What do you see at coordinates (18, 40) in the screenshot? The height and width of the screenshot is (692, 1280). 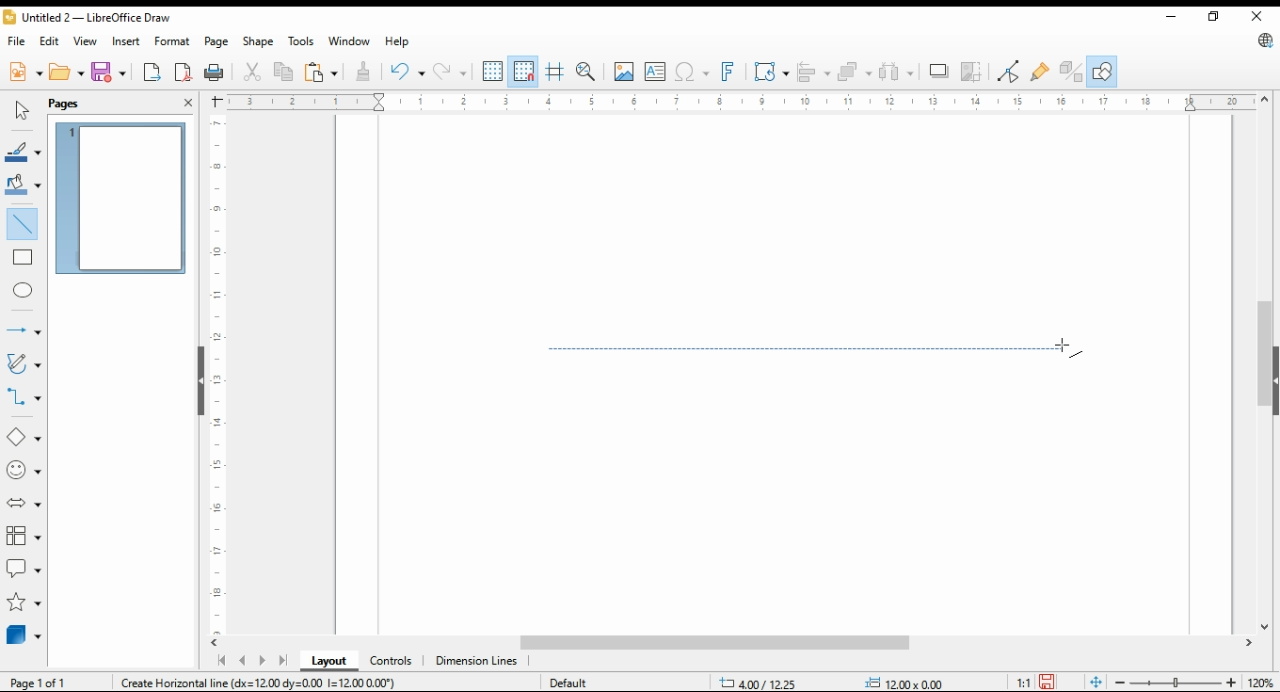 I see `file` at bounding box center [18, 40].